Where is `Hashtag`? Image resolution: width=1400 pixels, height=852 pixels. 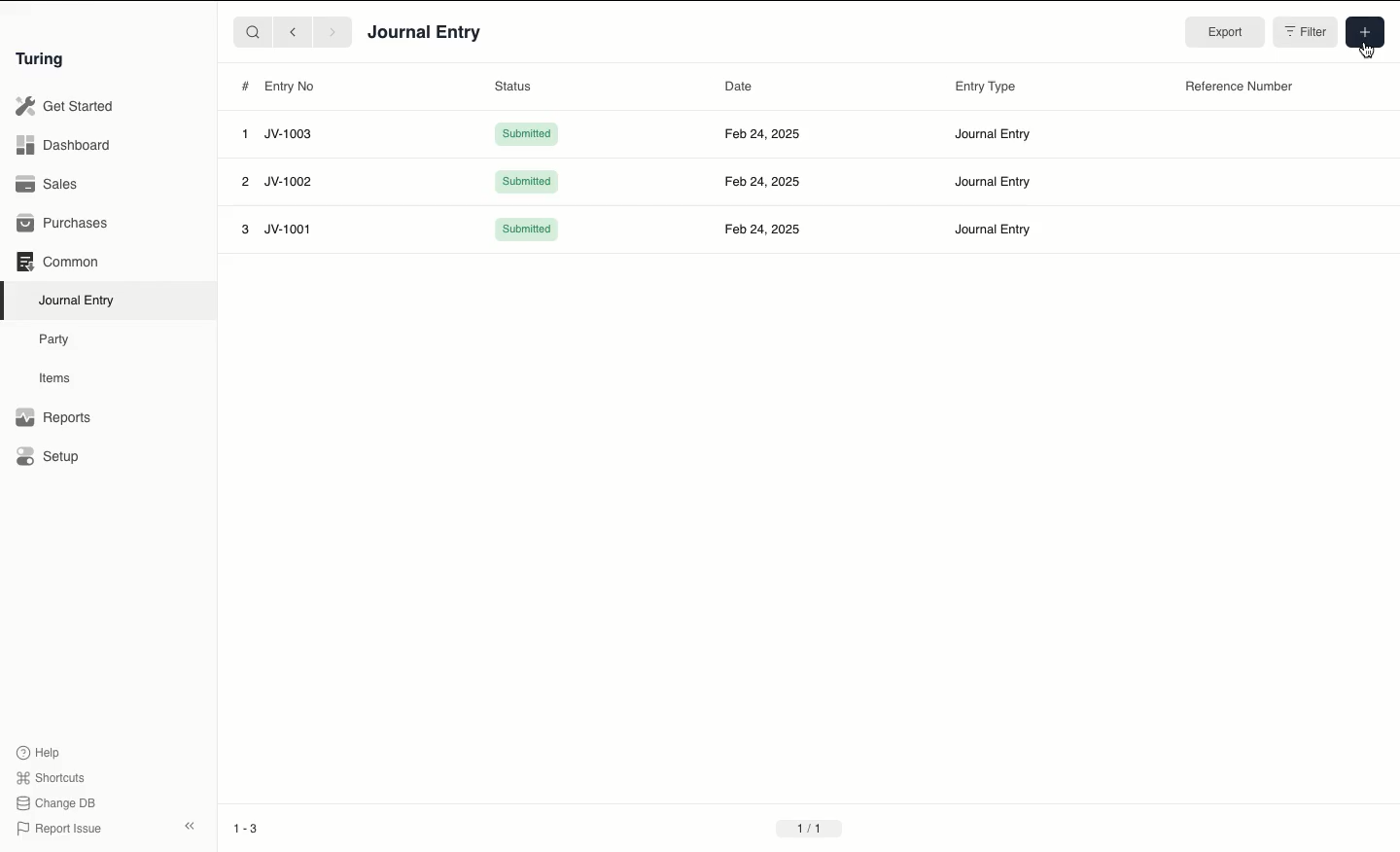
Hashtag is located at coordinates (244, 86).